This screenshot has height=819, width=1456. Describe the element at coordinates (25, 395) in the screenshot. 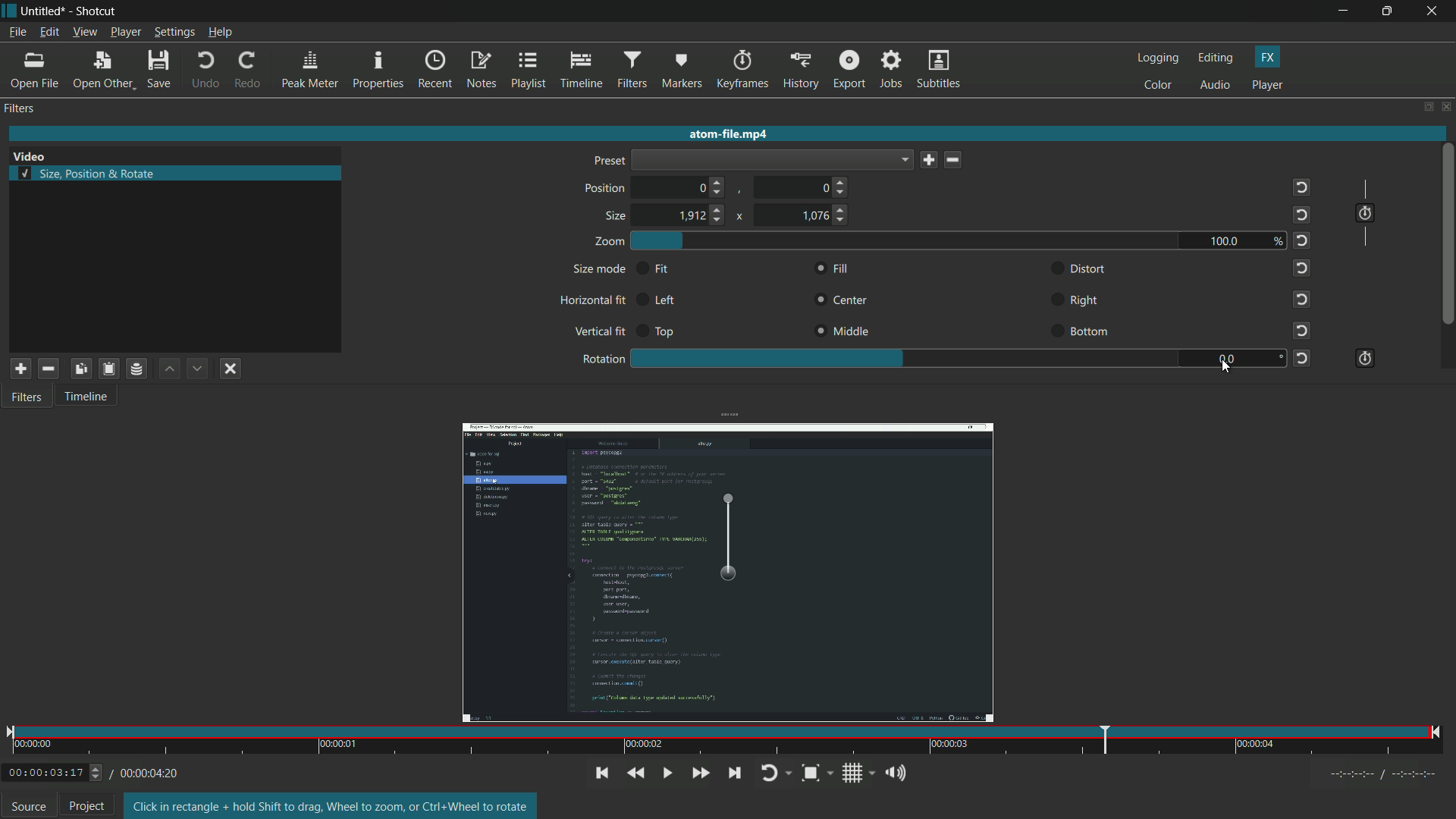

I see `filters` at that location.